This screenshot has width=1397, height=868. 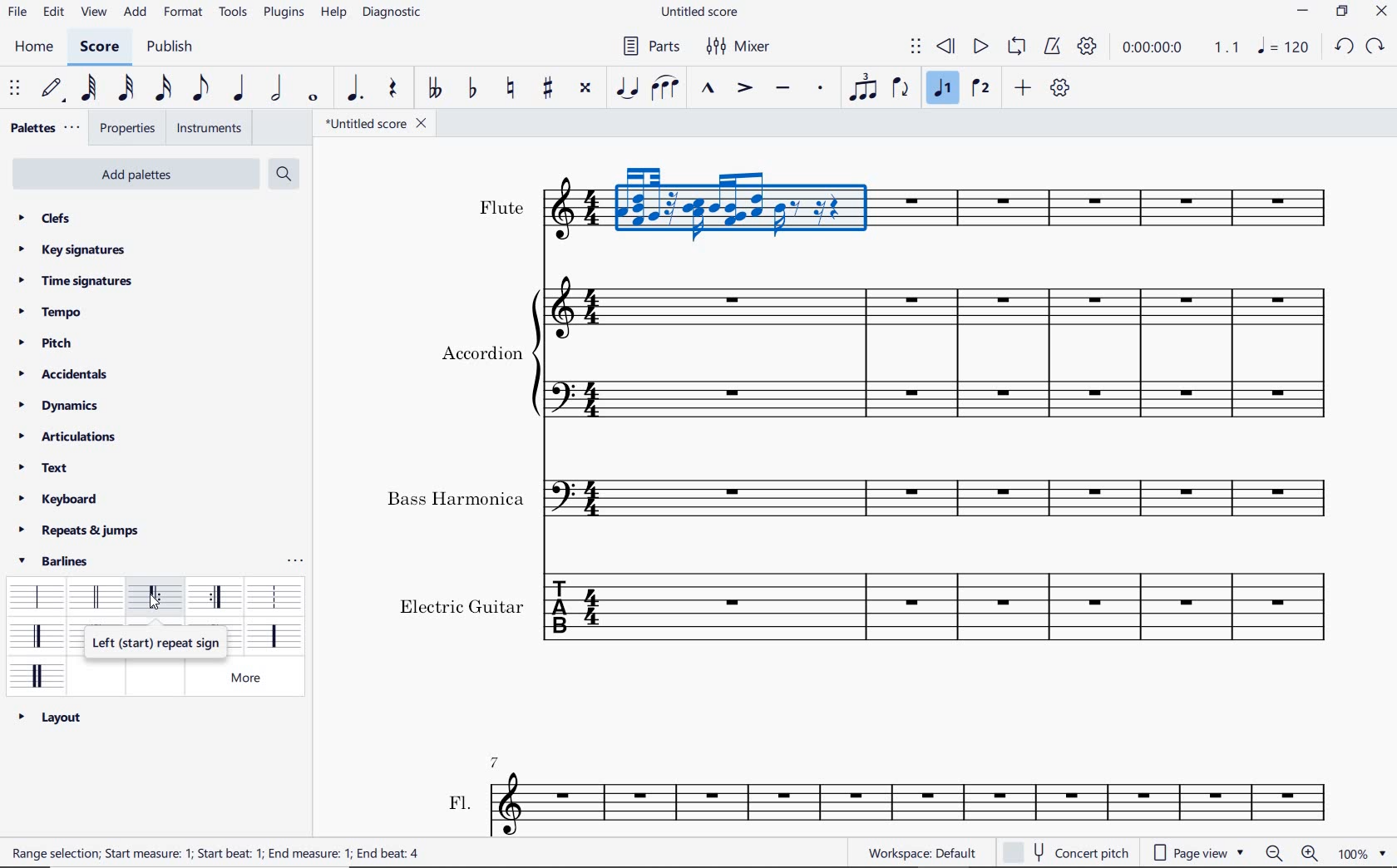 What do you see at coordinates (946, 47) in the screenshot?
I see `rewind` at bounding box center [946, 47].